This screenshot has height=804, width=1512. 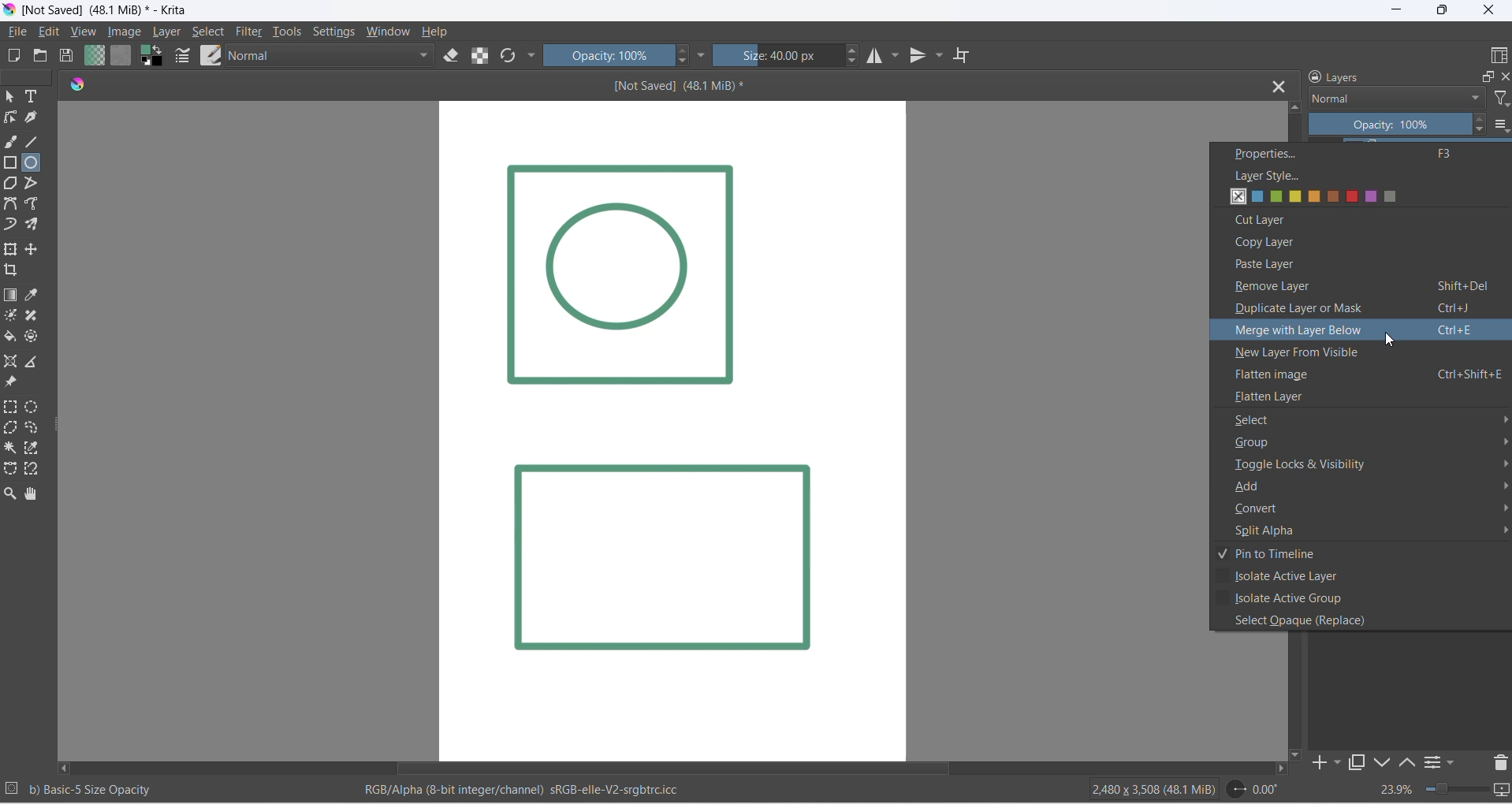 What do you see at coordinates (10, 120) in the screenshot?
I see `edit shapes tool` at bounding box center [10, 120].